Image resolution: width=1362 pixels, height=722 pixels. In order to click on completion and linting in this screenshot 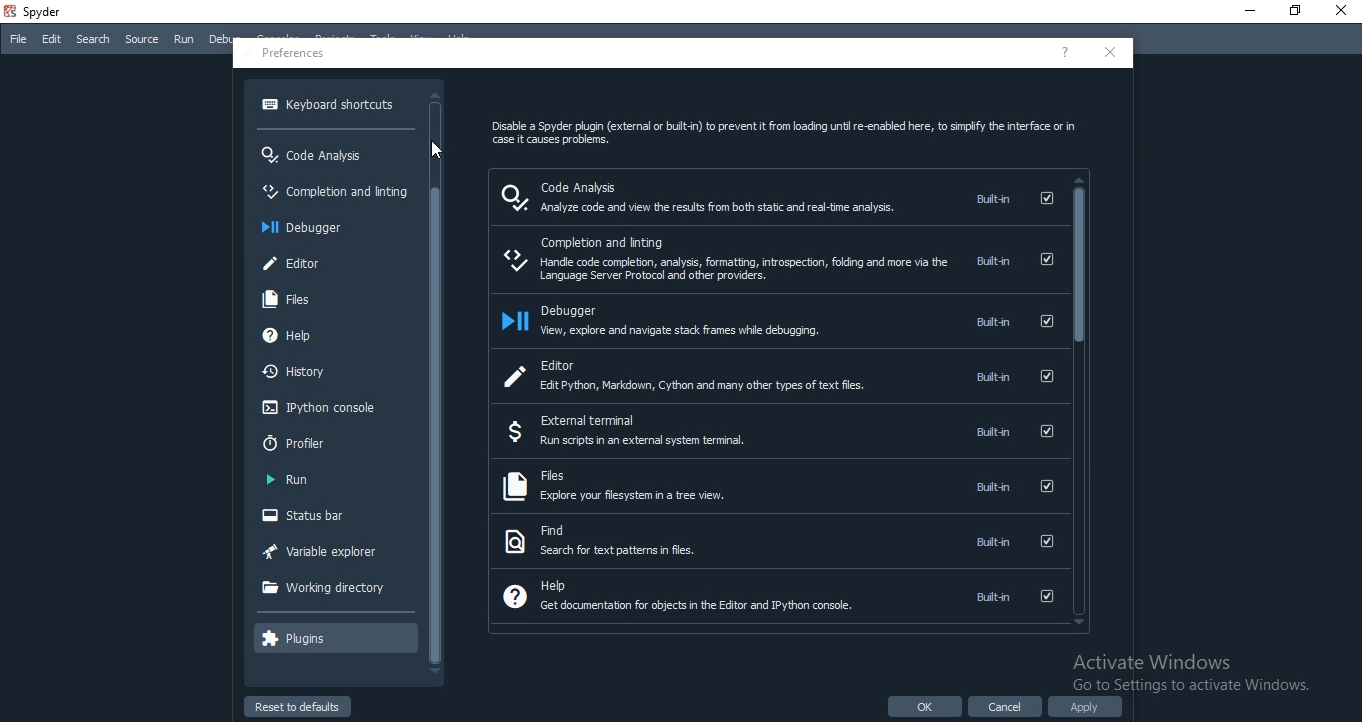, I will do `click(332, 192)`.